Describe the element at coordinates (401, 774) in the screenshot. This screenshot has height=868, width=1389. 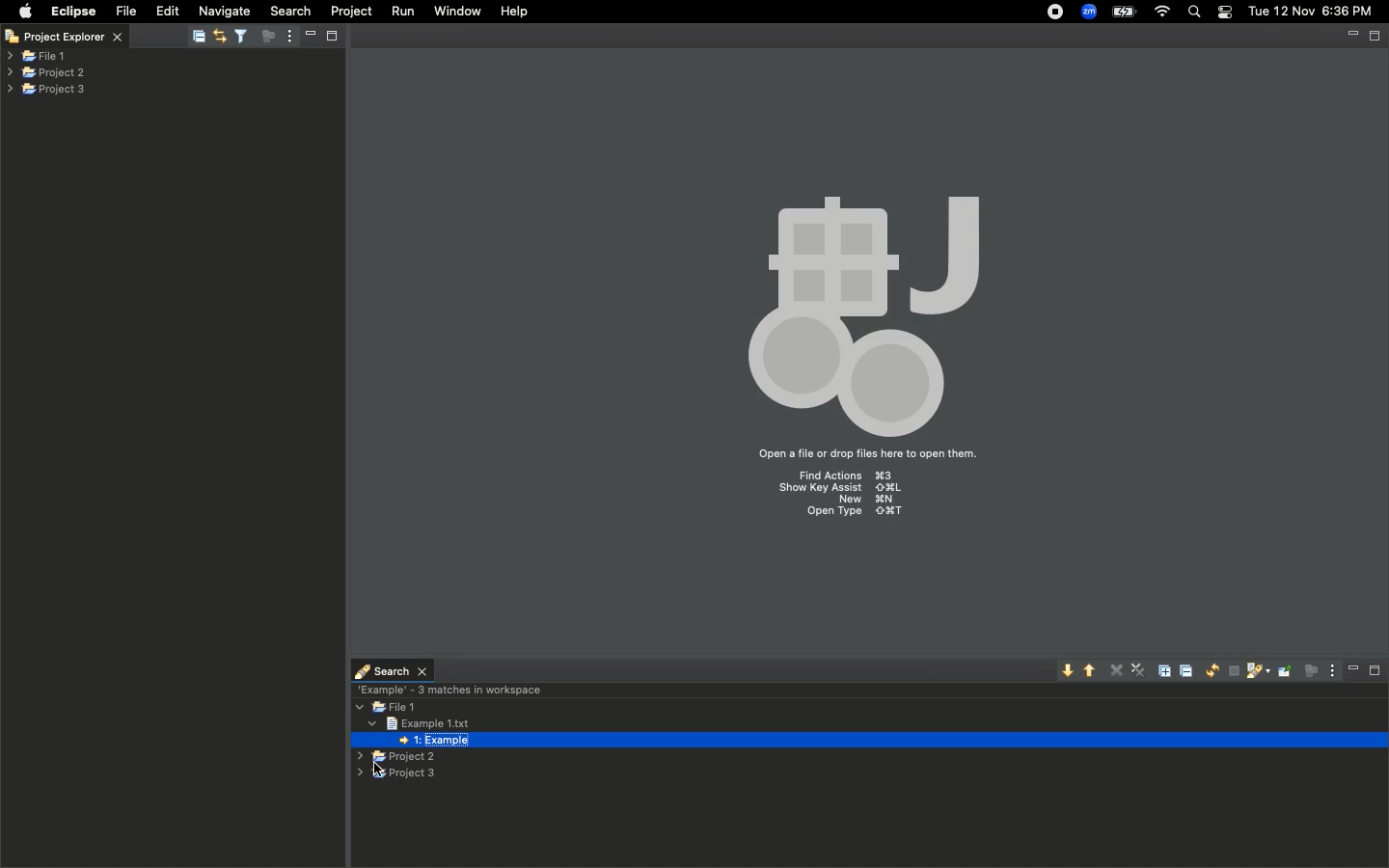
I see `Project 3` at that location.